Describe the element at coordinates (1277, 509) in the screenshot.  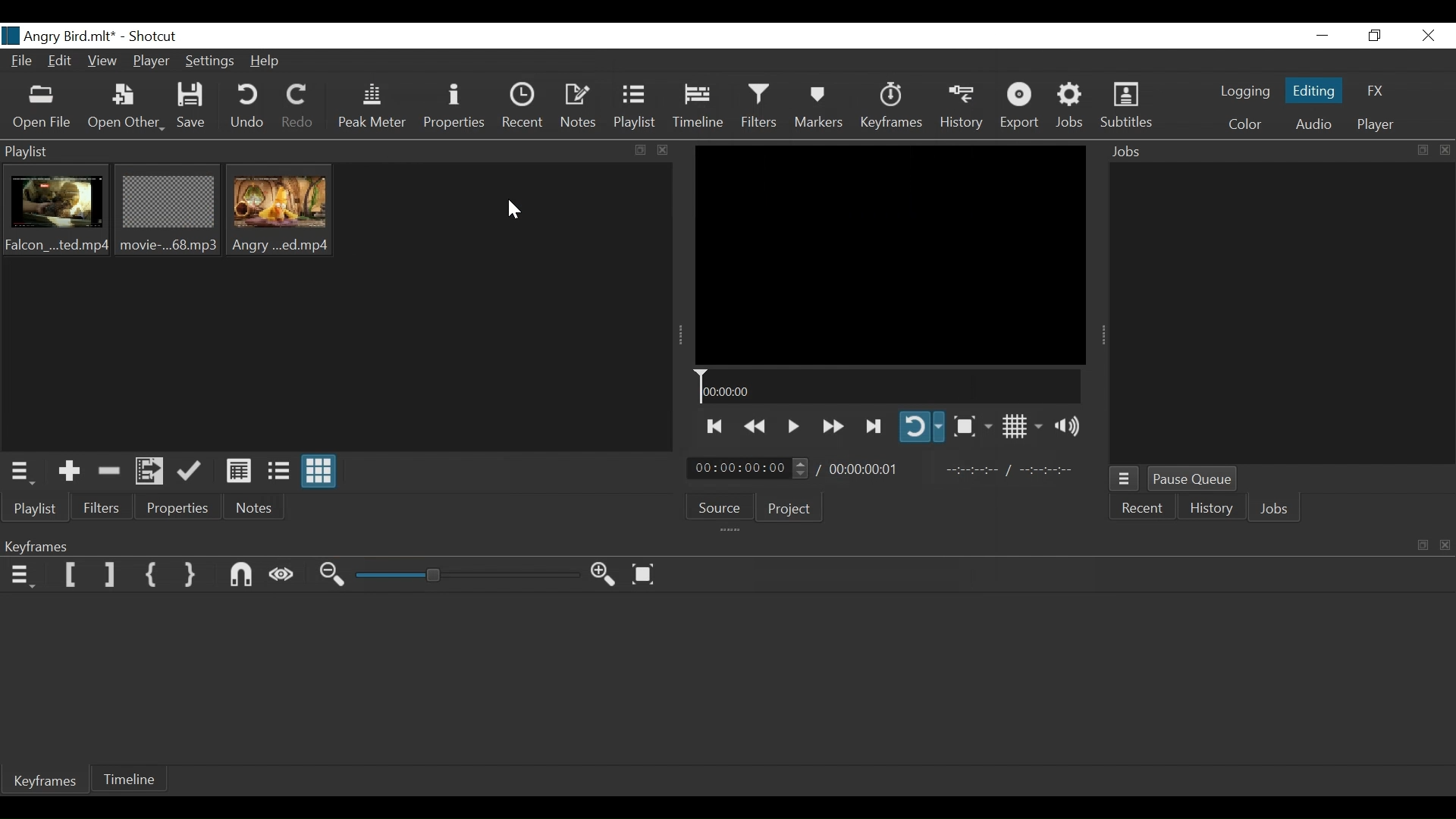
I see `Jobs` at that location.